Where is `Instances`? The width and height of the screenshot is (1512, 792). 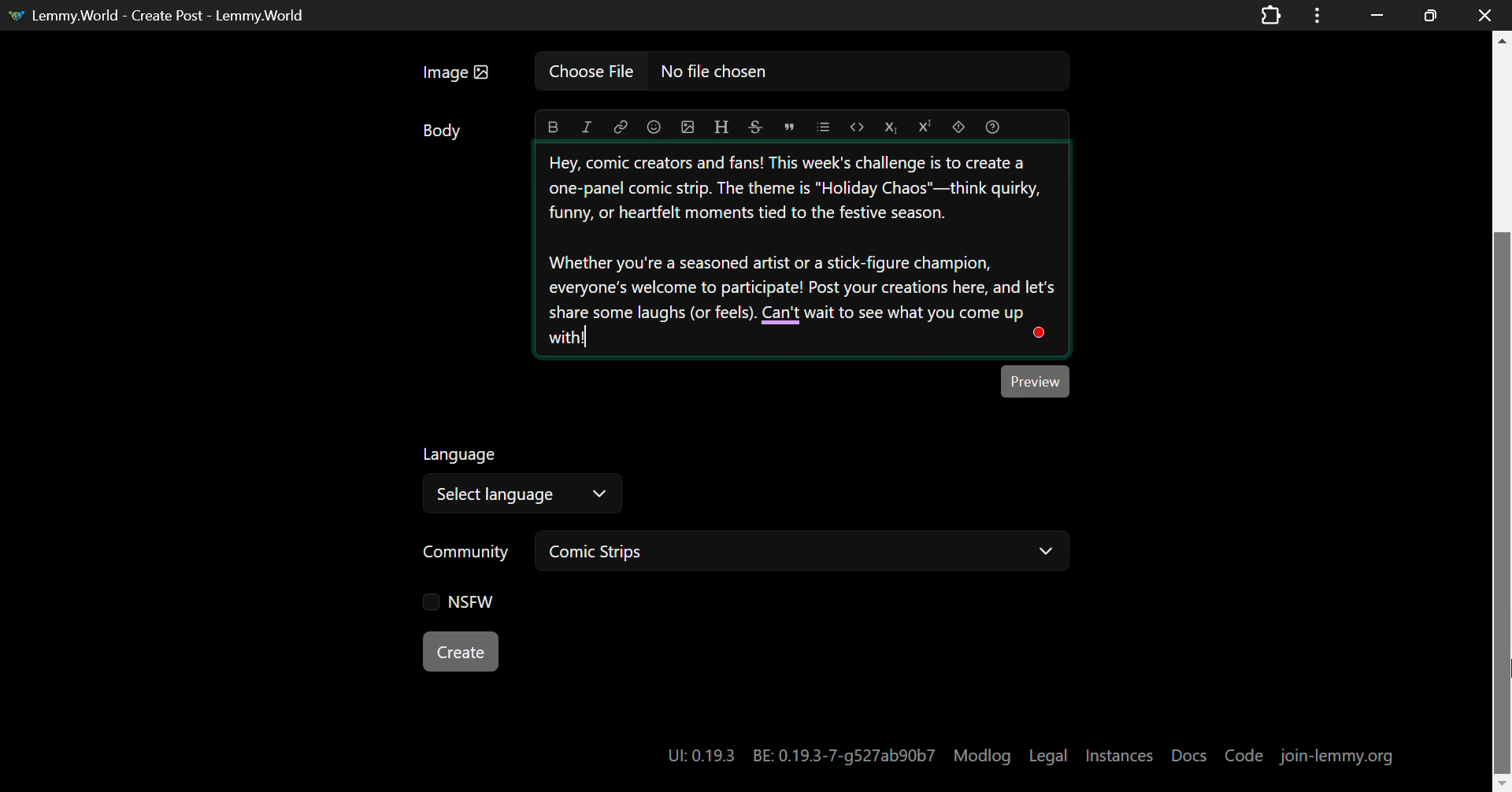
Instances is located at coordinates (1121, 755).